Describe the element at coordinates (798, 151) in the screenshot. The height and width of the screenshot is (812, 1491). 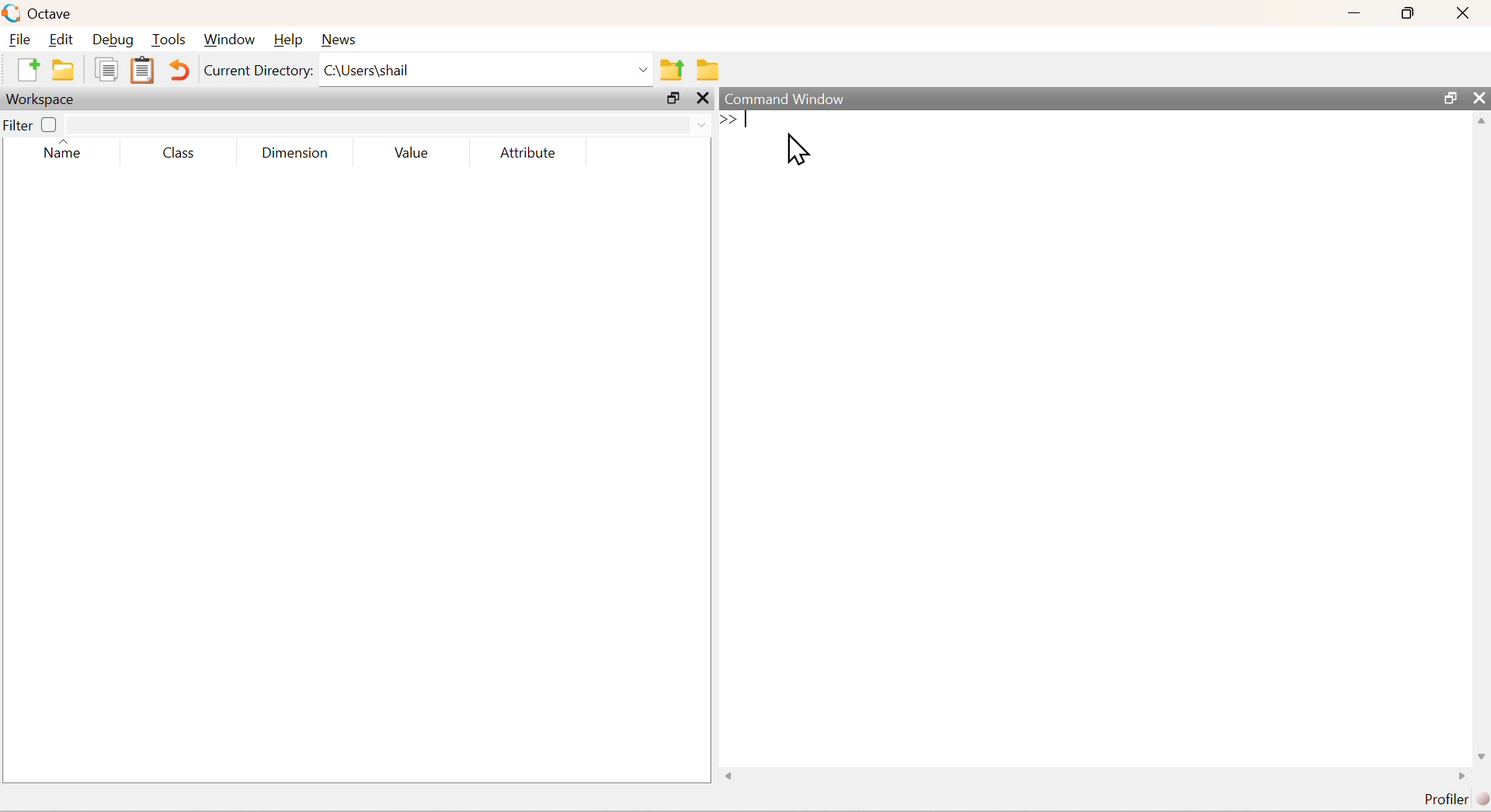
I see `cursor` at that location.